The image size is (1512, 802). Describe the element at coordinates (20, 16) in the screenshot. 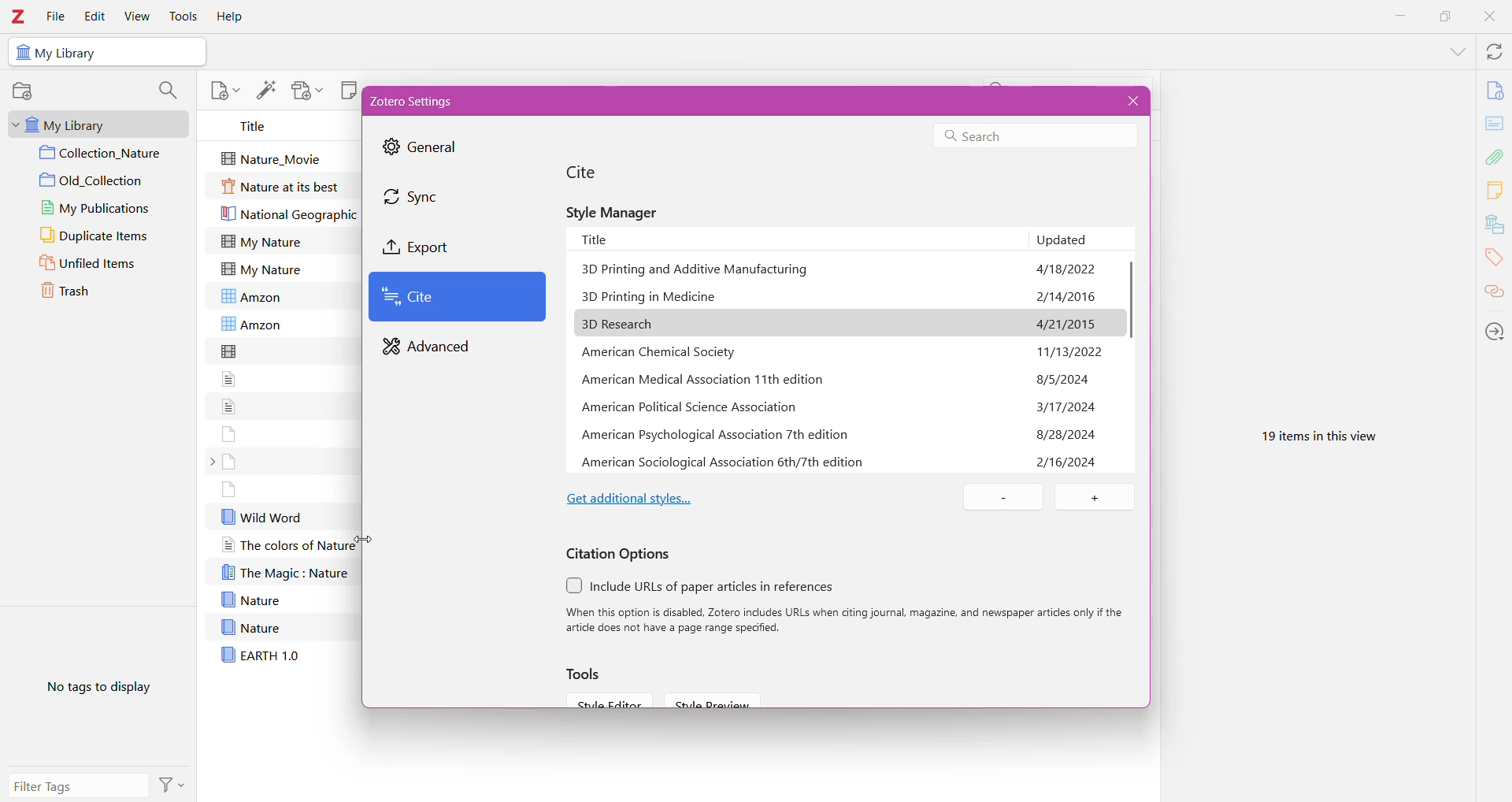

I see `Zotero` at that location.